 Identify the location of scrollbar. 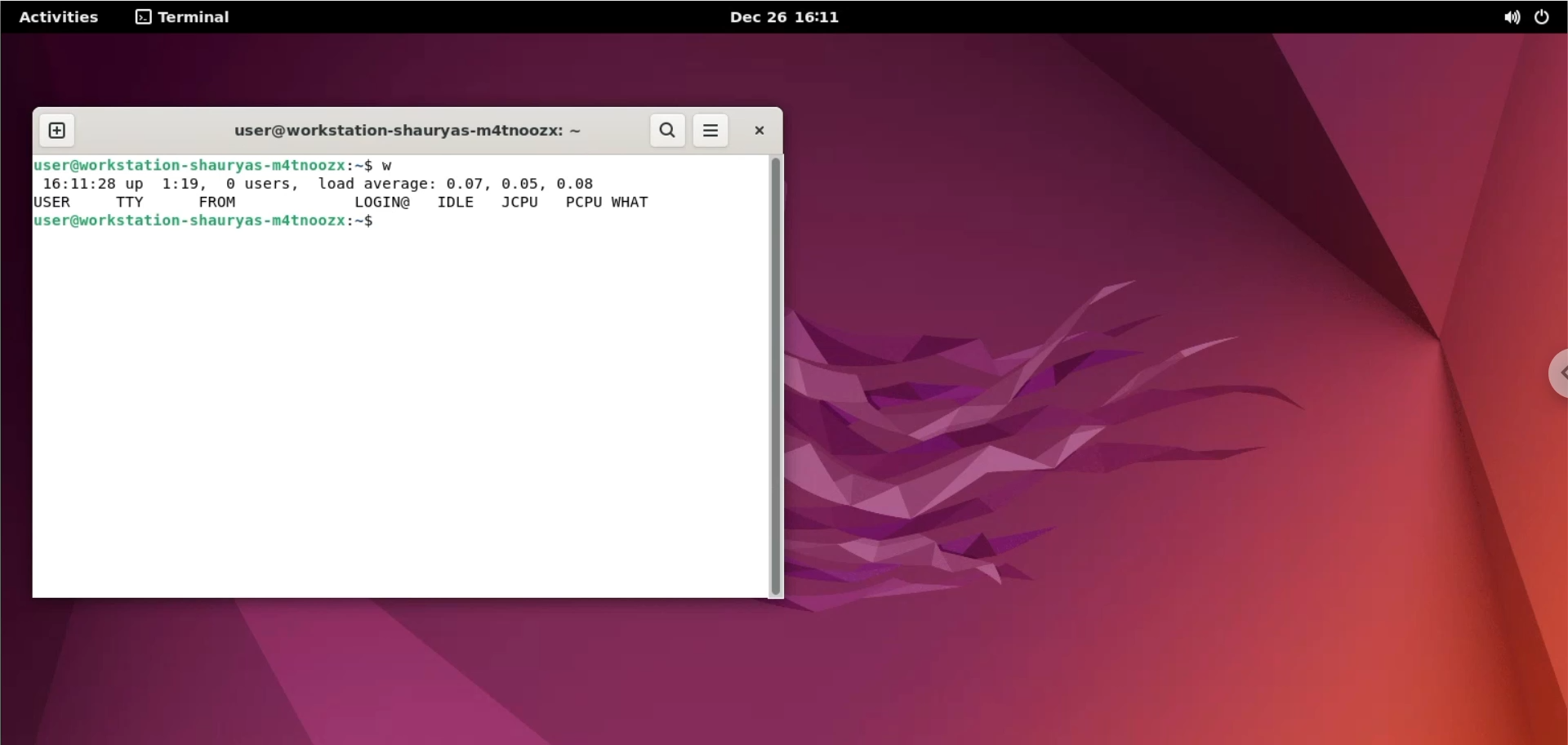
(773, 377).